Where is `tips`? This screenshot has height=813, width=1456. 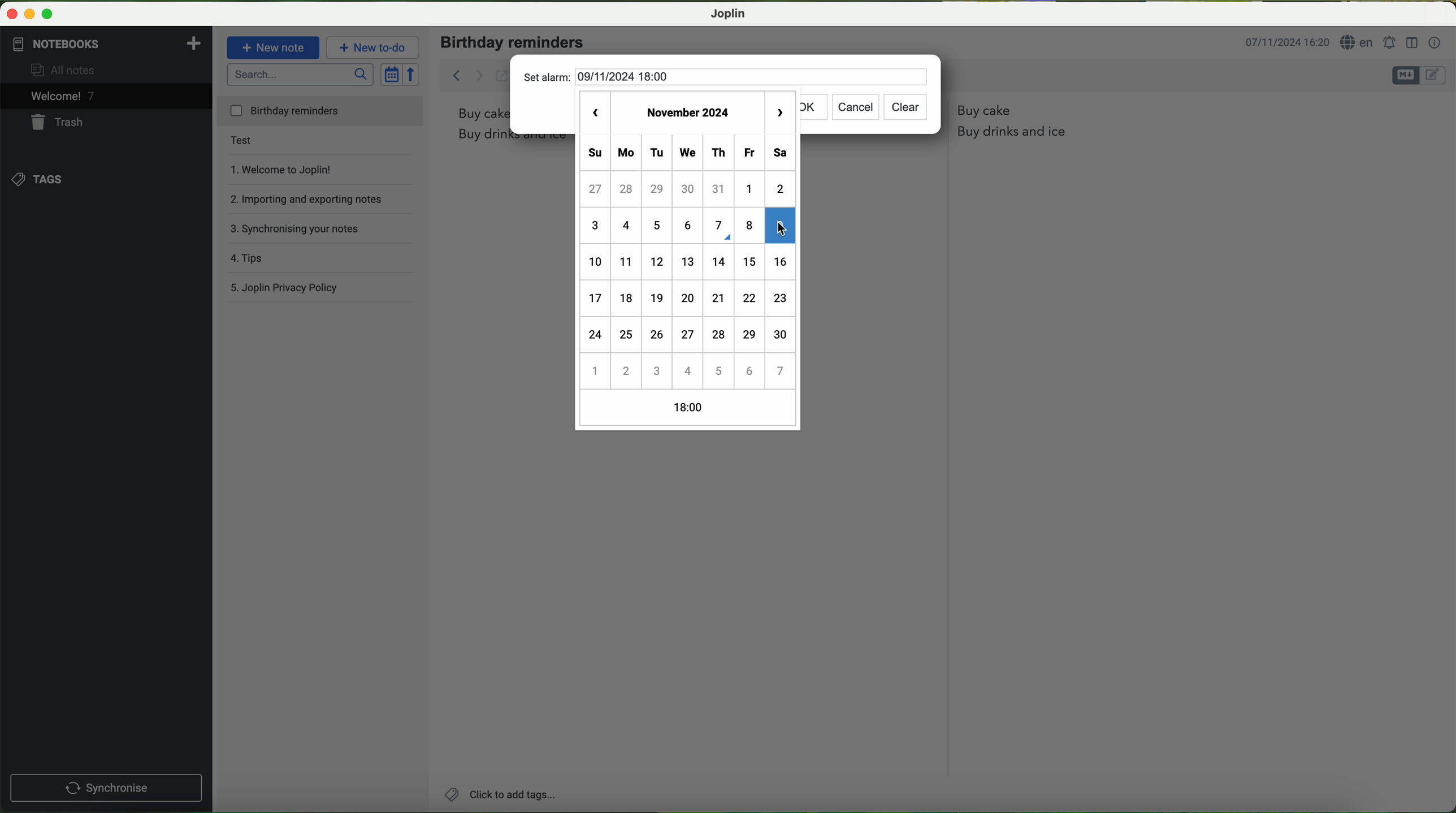
tips is located at coordinates (269, 254).